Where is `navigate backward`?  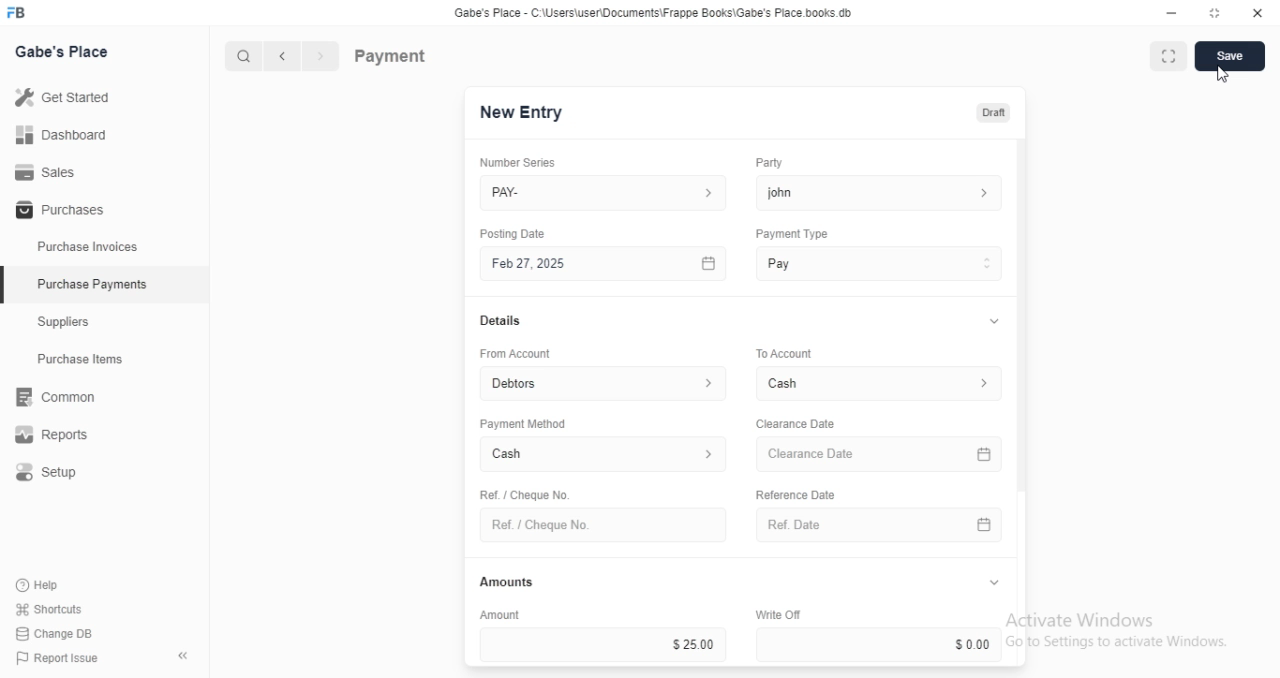 navigate backward is located at coordinates (286, 58).